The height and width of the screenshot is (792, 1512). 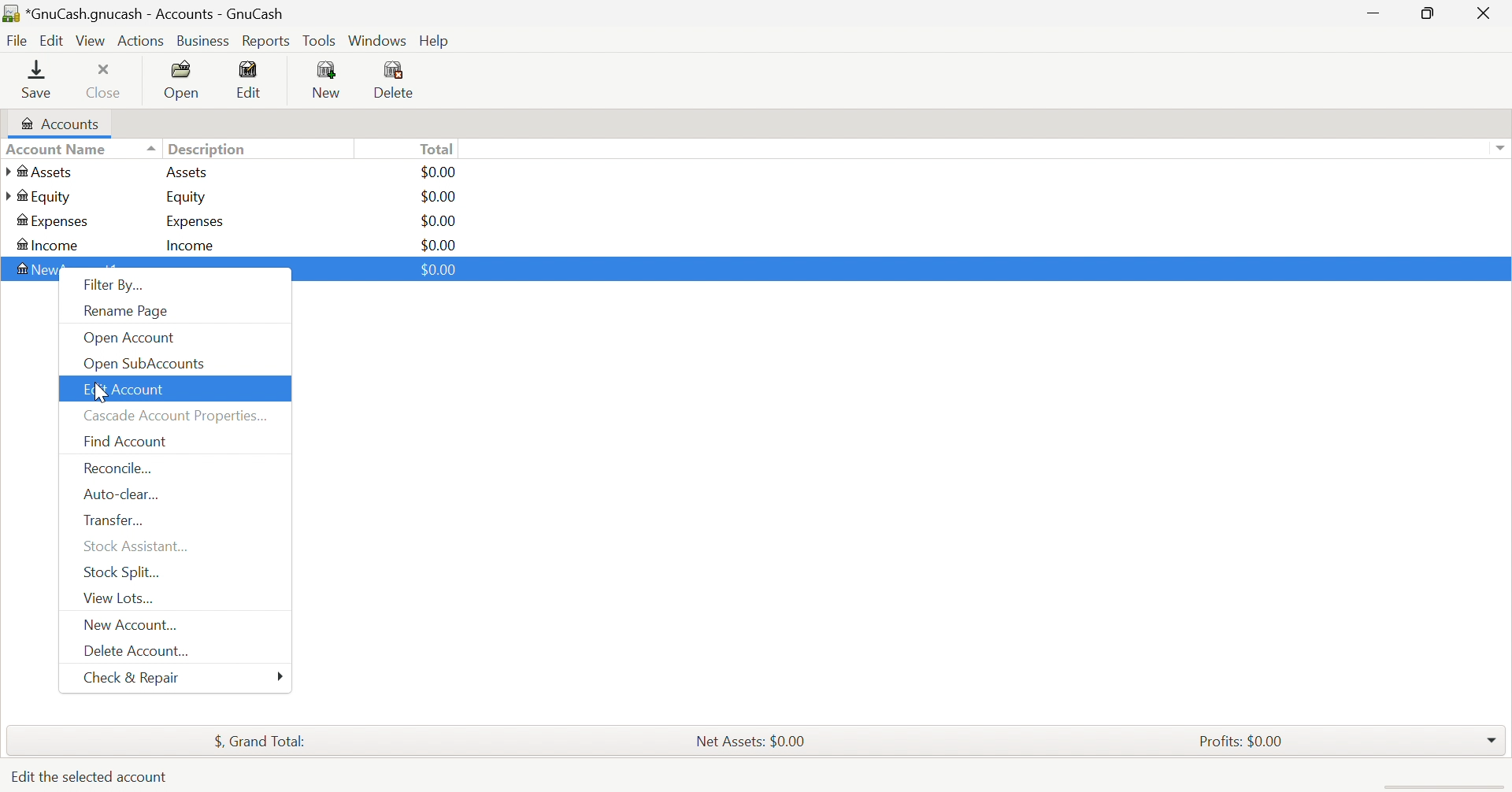 What do you see at coordinates (267, 41) in the screenshot?
I see `Reports` at bounding box center [267, 41].